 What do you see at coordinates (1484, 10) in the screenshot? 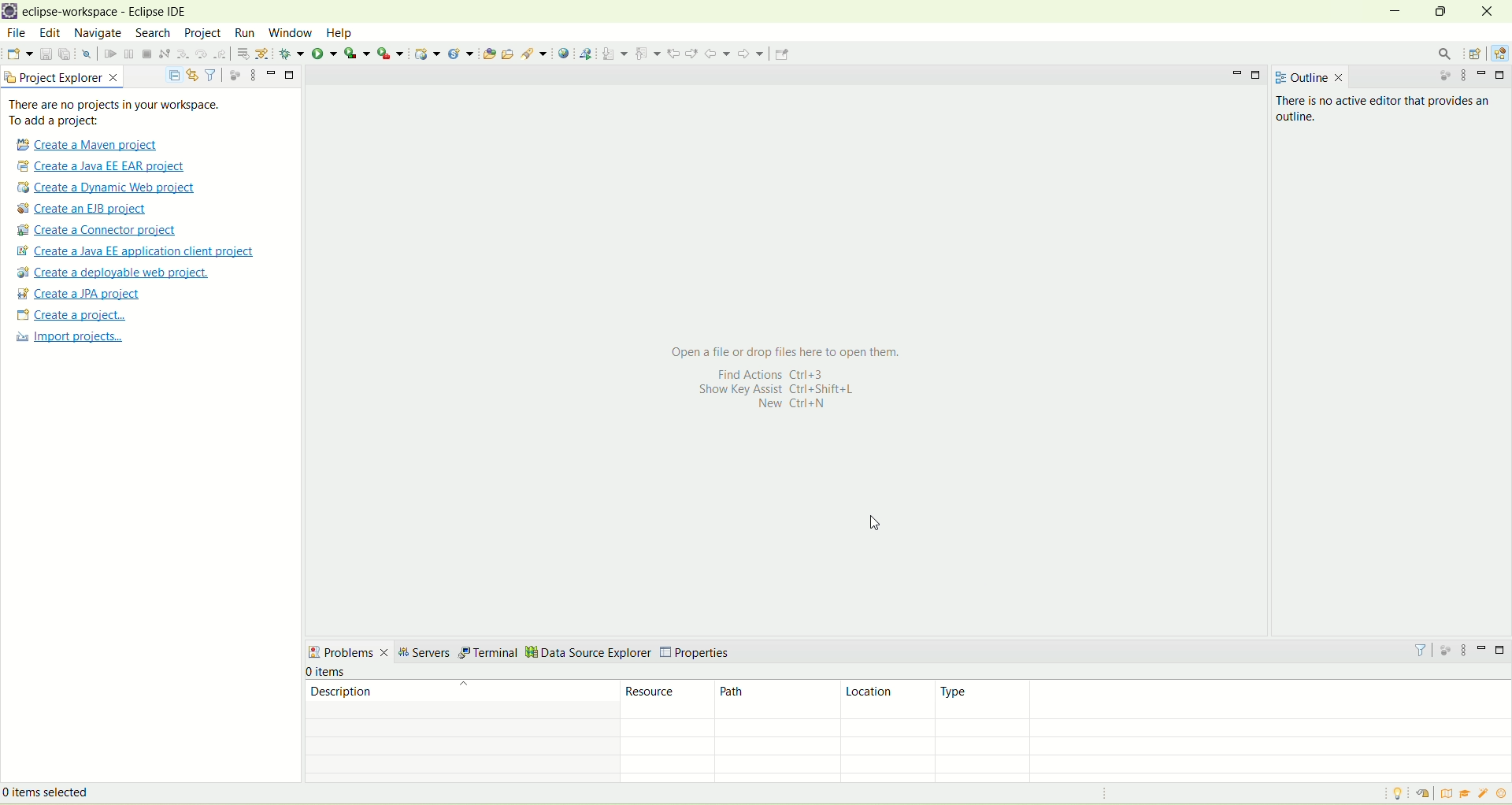
I see `close` at bounding box center [1484, 10].